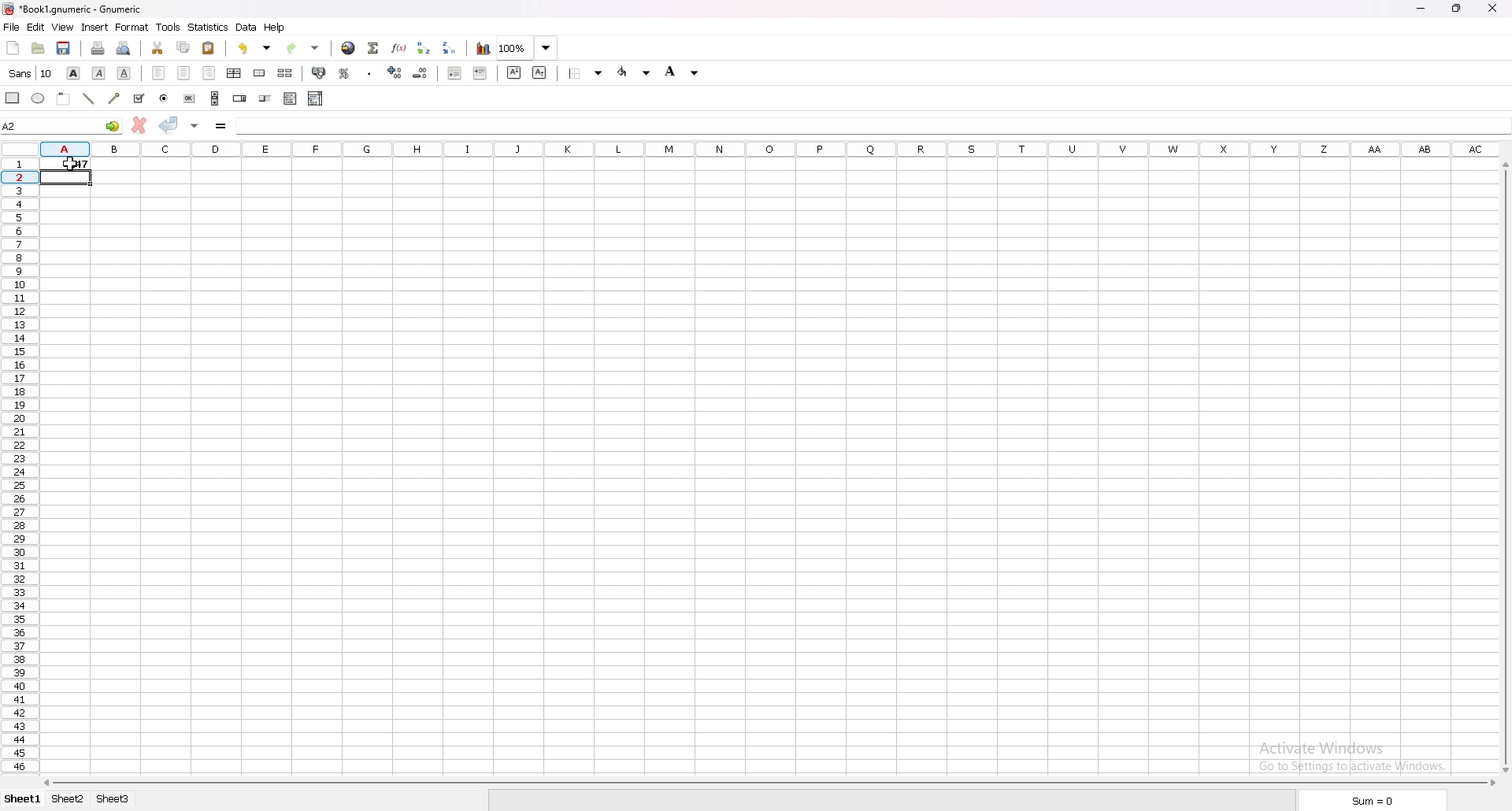 Image resolution: width=1512 pixels, height=811 pixels. Describe the element at coordinates (246, 27) in the screenshot. I see `data` at that location.